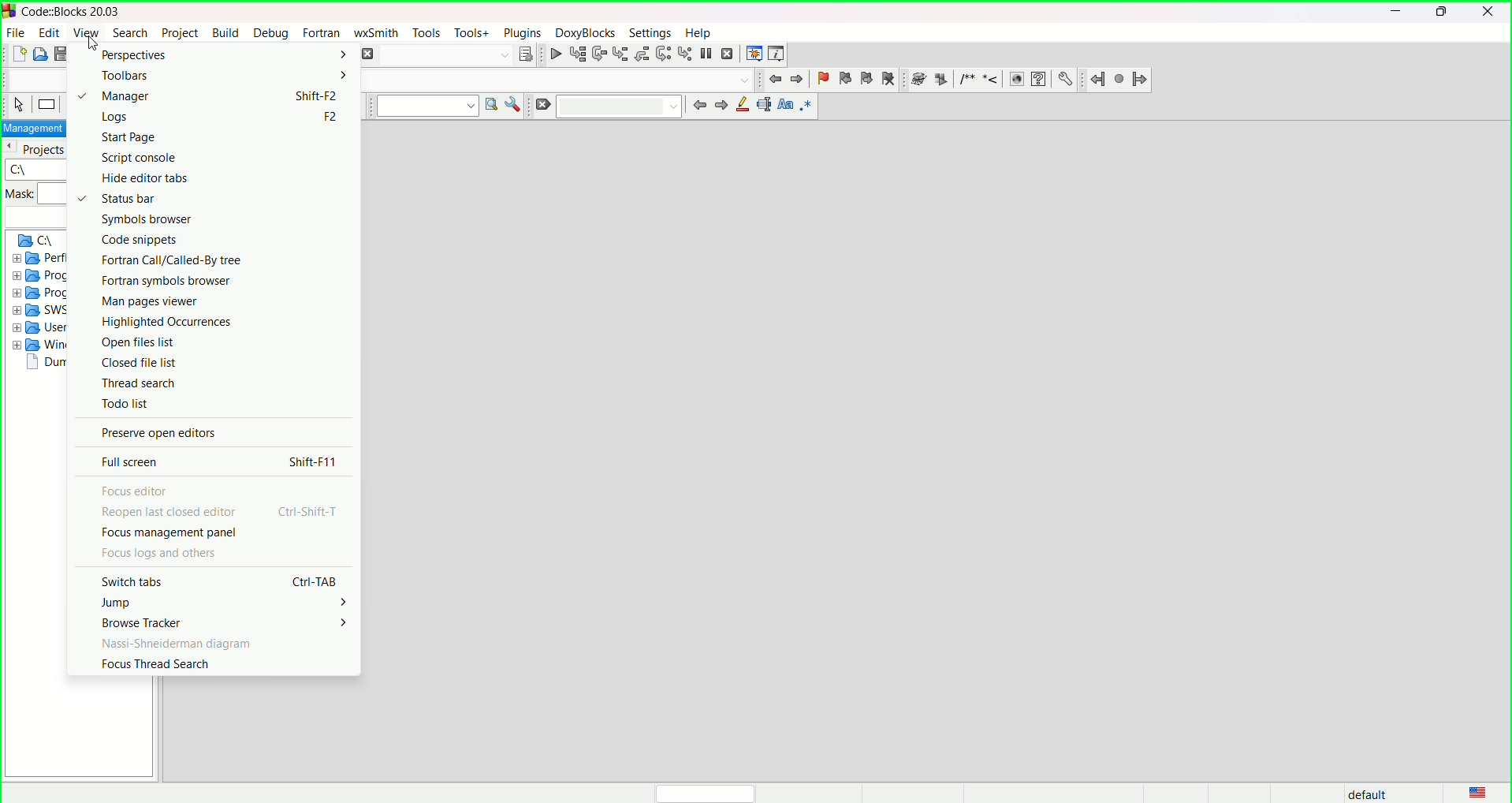 The width and height of the screenshot is (1512, 803). I want to click on run search, so click(492, 105).